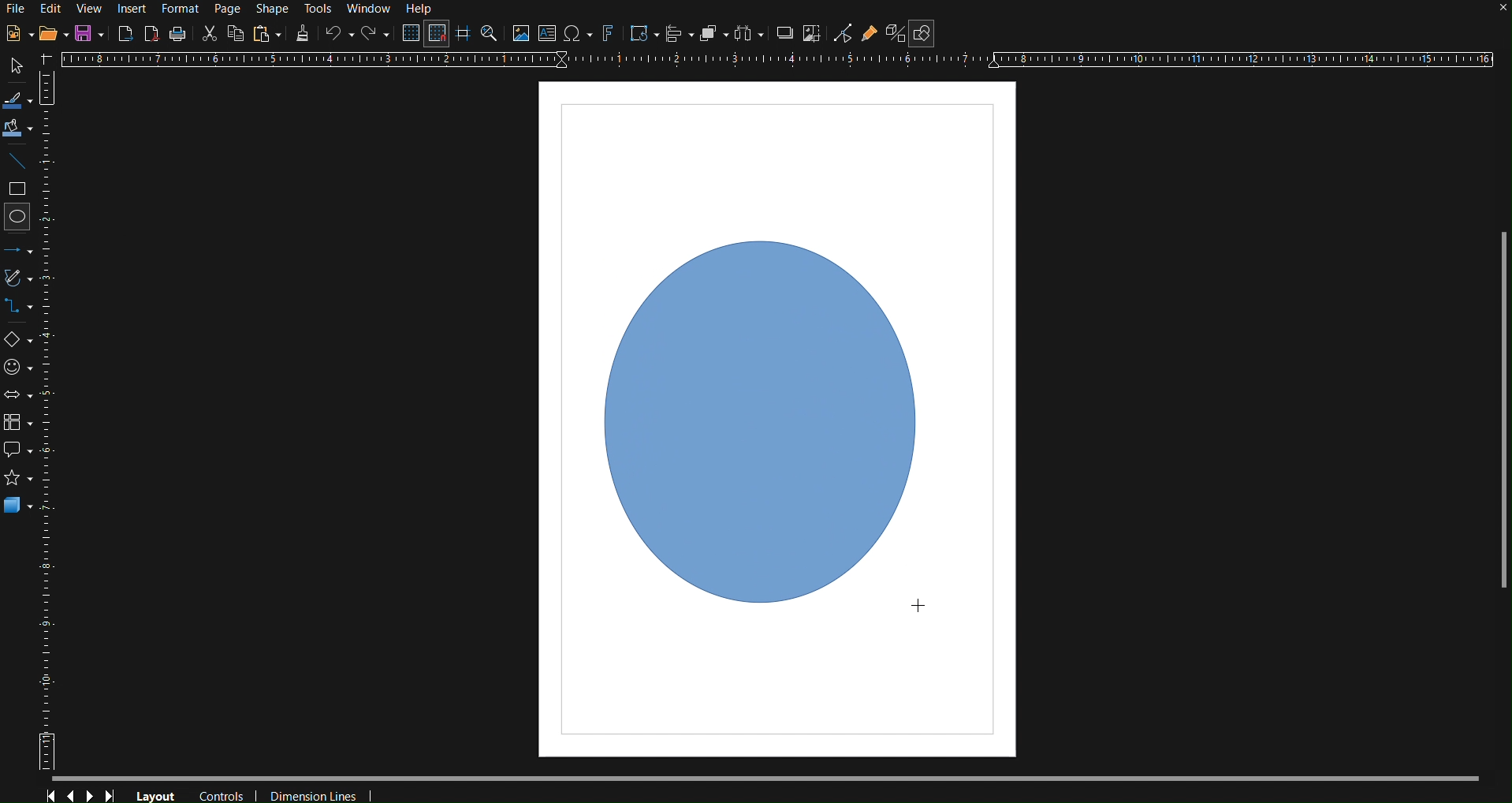  Describe the element at coordinates (20, 394) in the screenshot. I see `Block Arrows` at that location.